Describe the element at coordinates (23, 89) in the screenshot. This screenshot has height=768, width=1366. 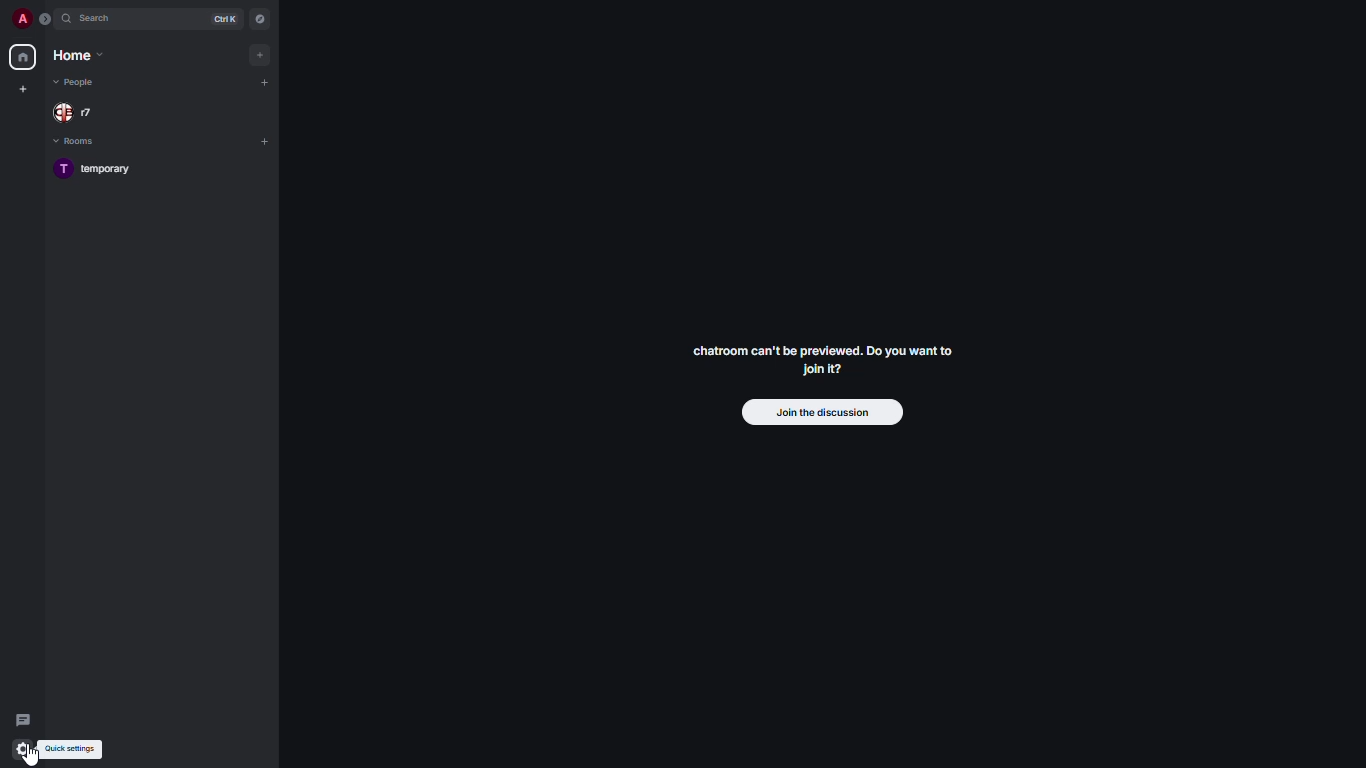
I see `create new space` at that location.